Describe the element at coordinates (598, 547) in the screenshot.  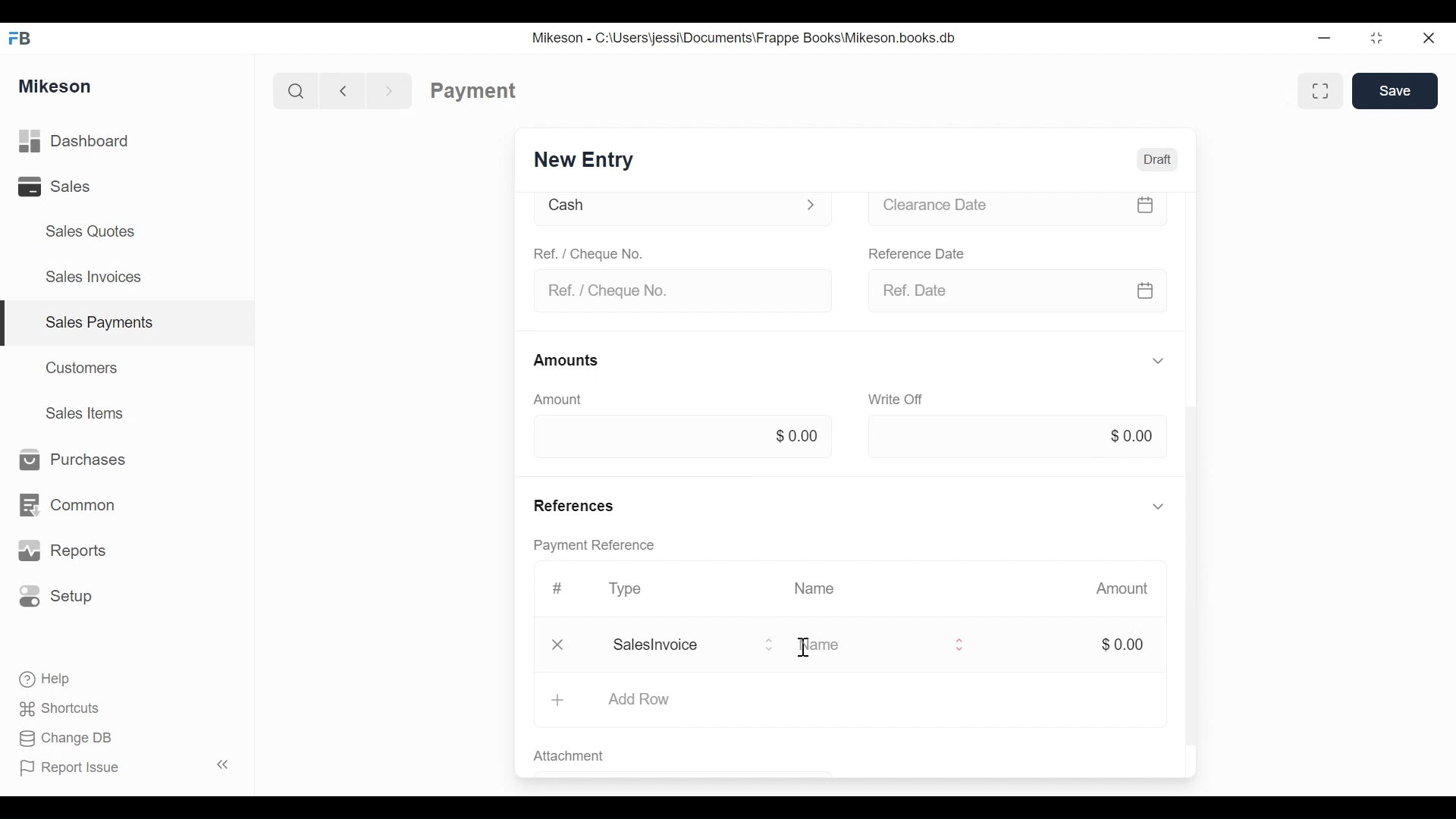
I see `Payment reference` at that location.